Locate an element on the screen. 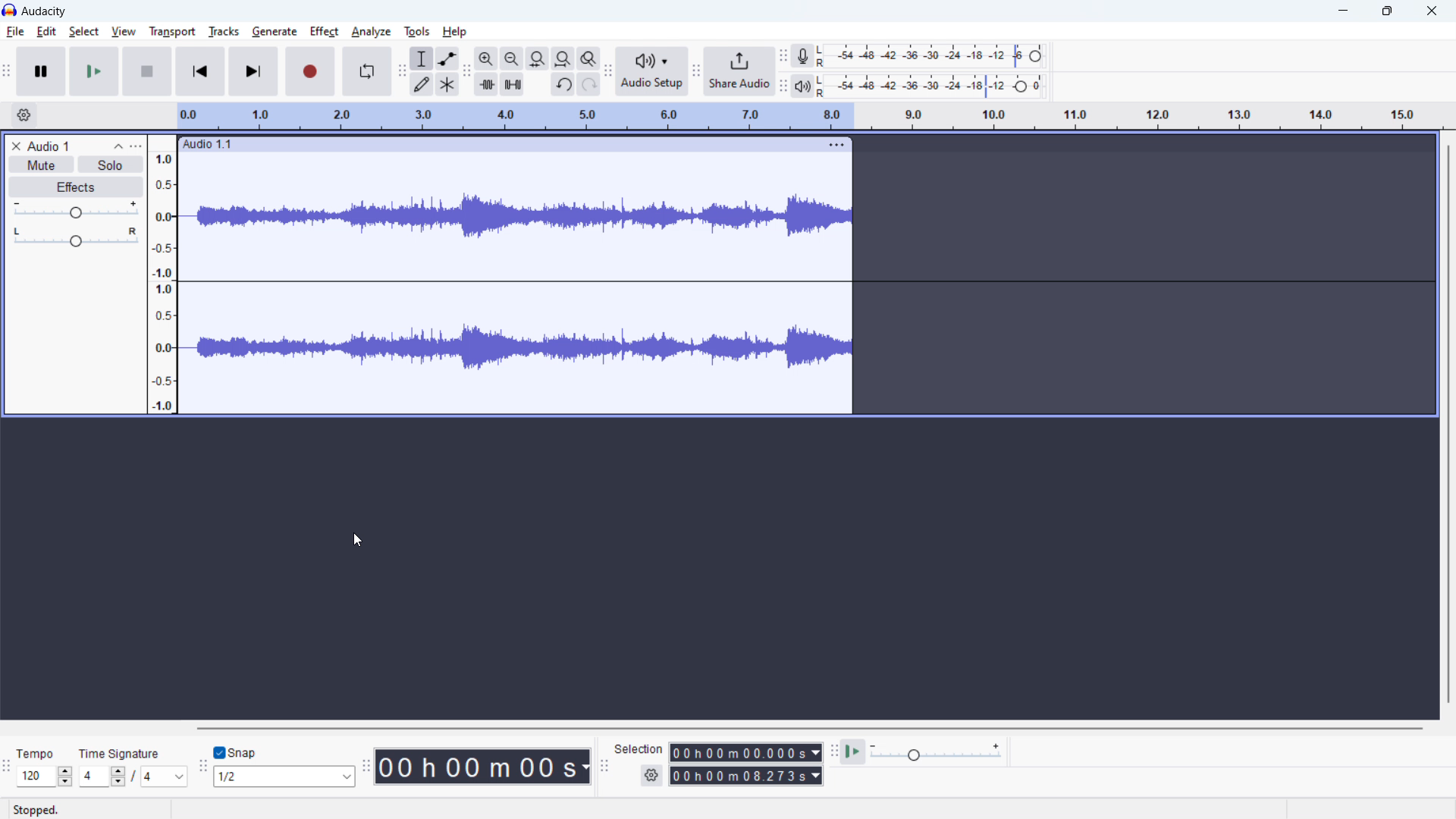 This screenshot has width=1456, height=819. zoom out is located at coordinates (510, 58).